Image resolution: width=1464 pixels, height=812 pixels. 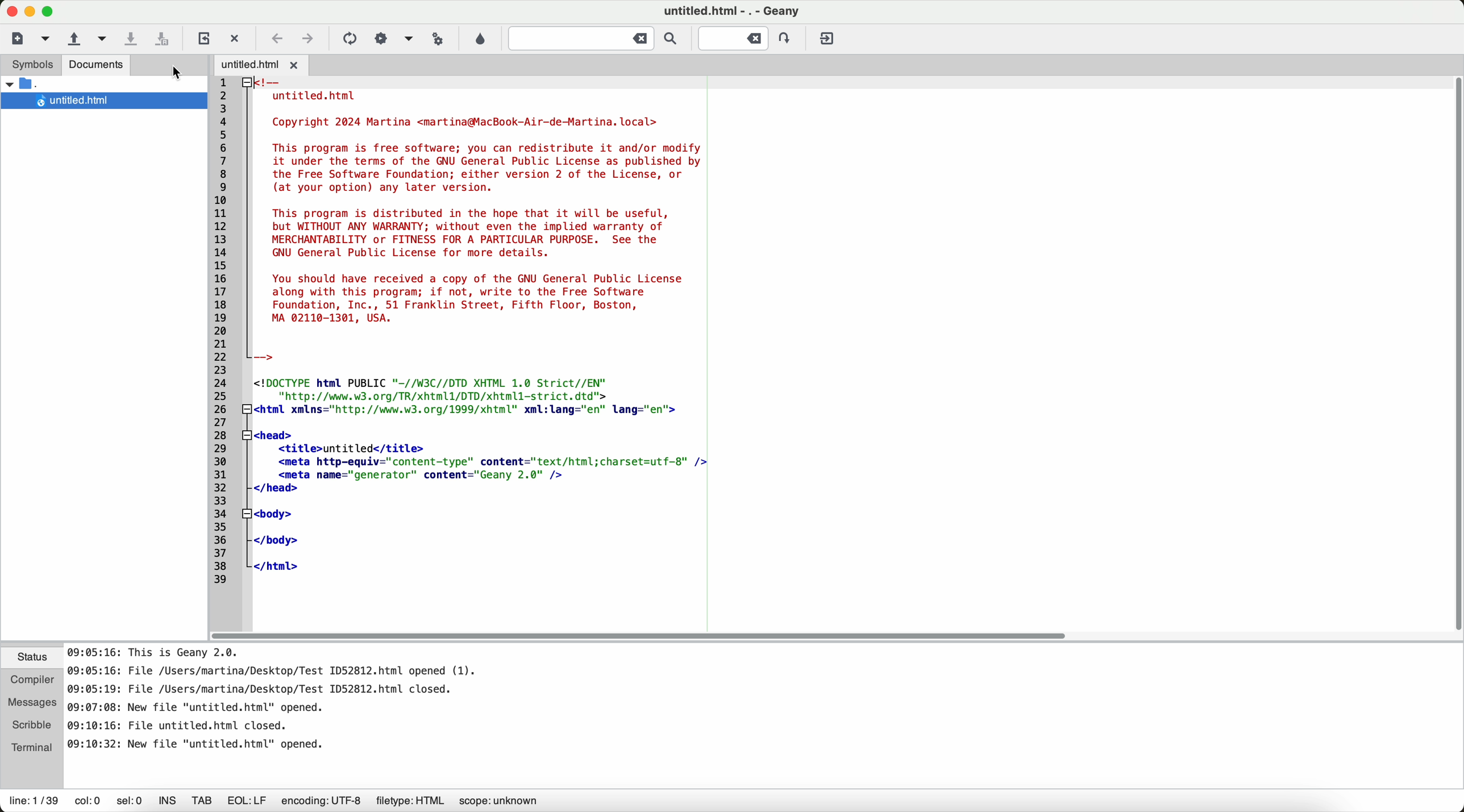 I want to click on jump to the entered text in the current file, so click(x=596, y=39).